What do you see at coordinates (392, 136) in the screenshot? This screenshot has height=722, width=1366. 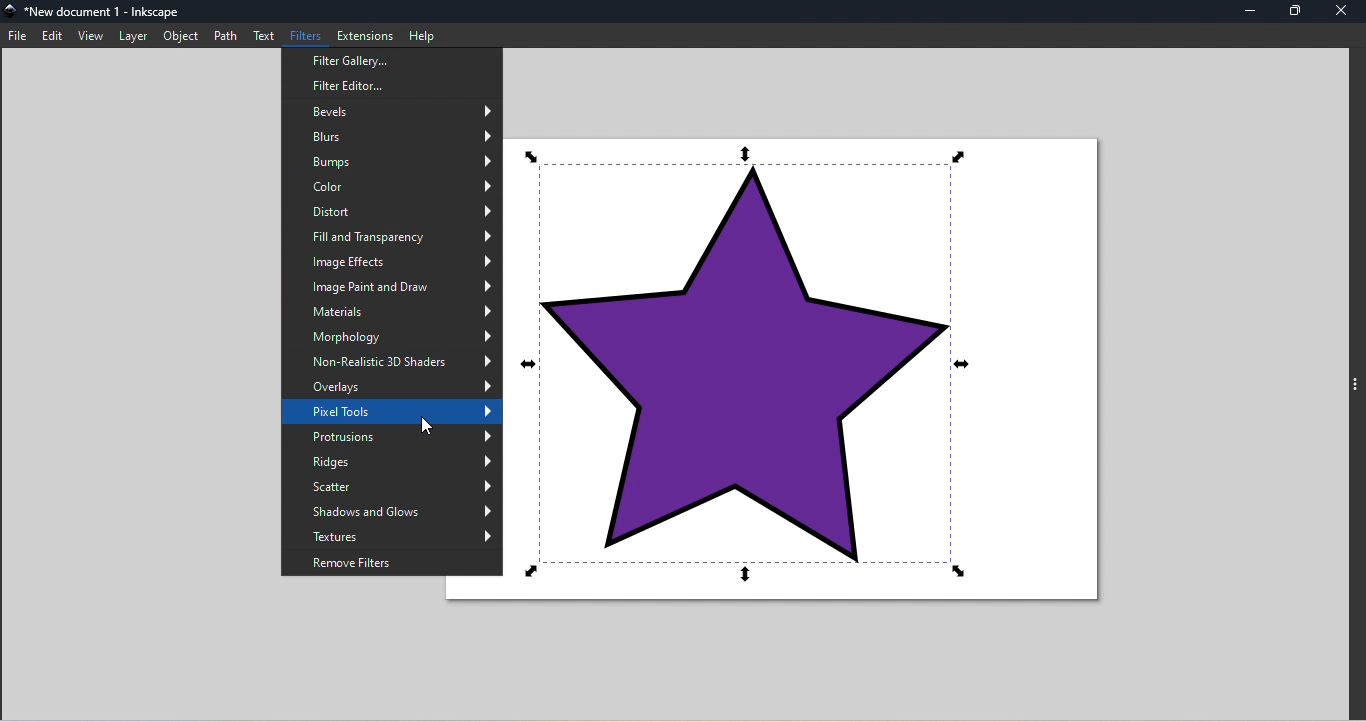 I see `Blurs` at bounding box center [392, 136].